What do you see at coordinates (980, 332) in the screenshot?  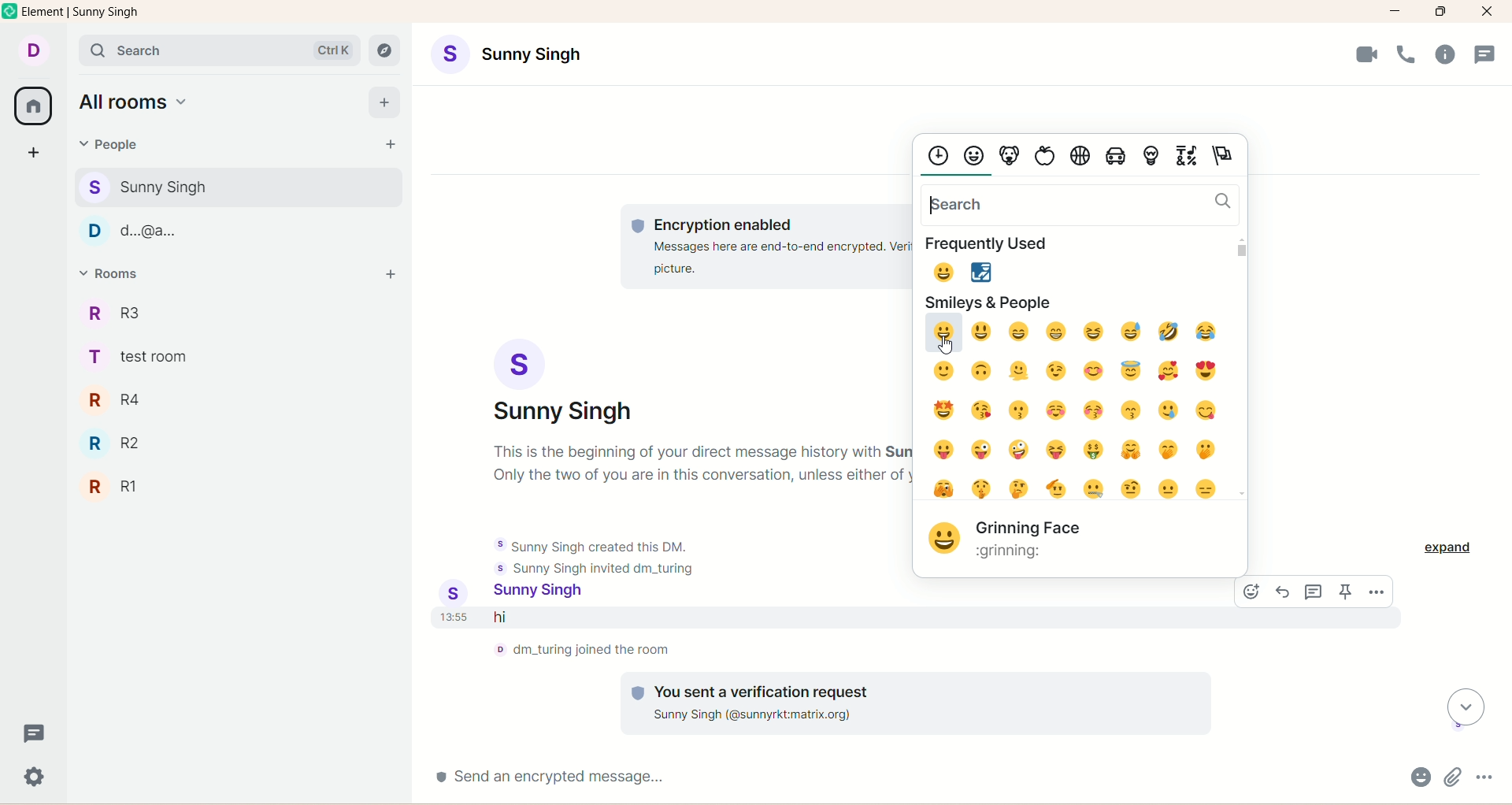 I see `Grinning face with big eyes` at bounding box center [980, 332].